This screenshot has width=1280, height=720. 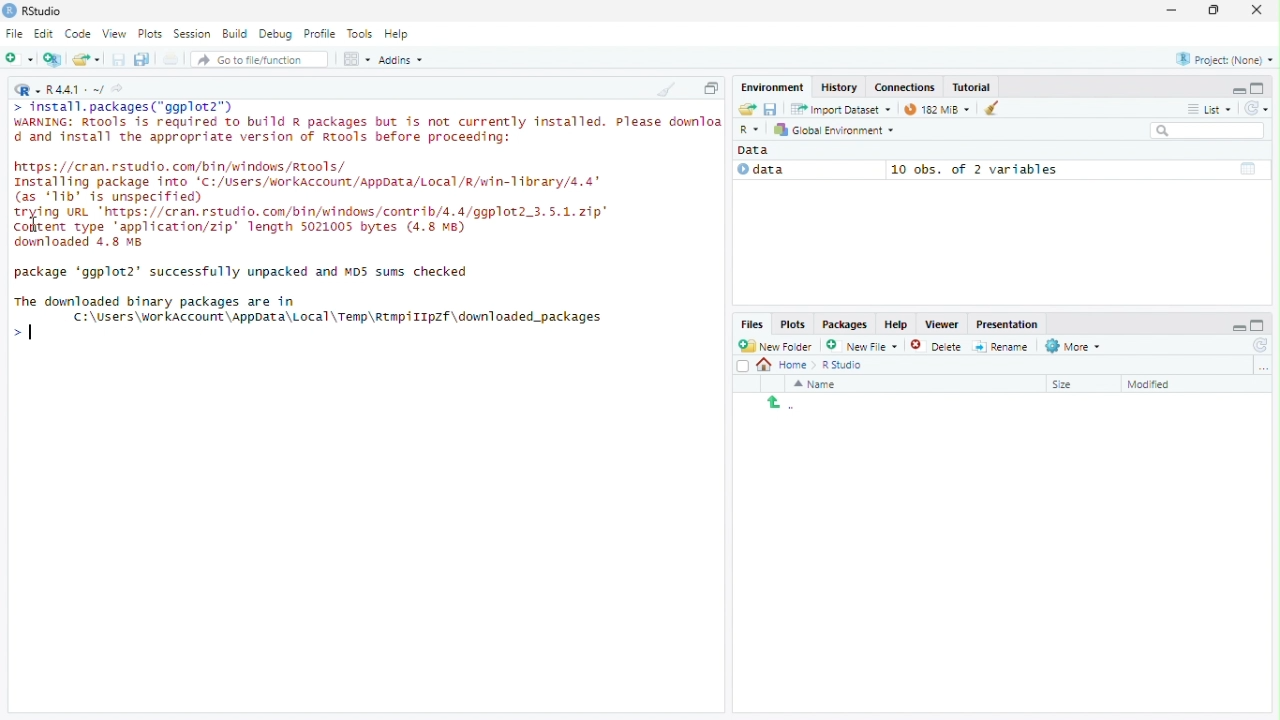 I want to click on Environment, so click(x=773, y=87).